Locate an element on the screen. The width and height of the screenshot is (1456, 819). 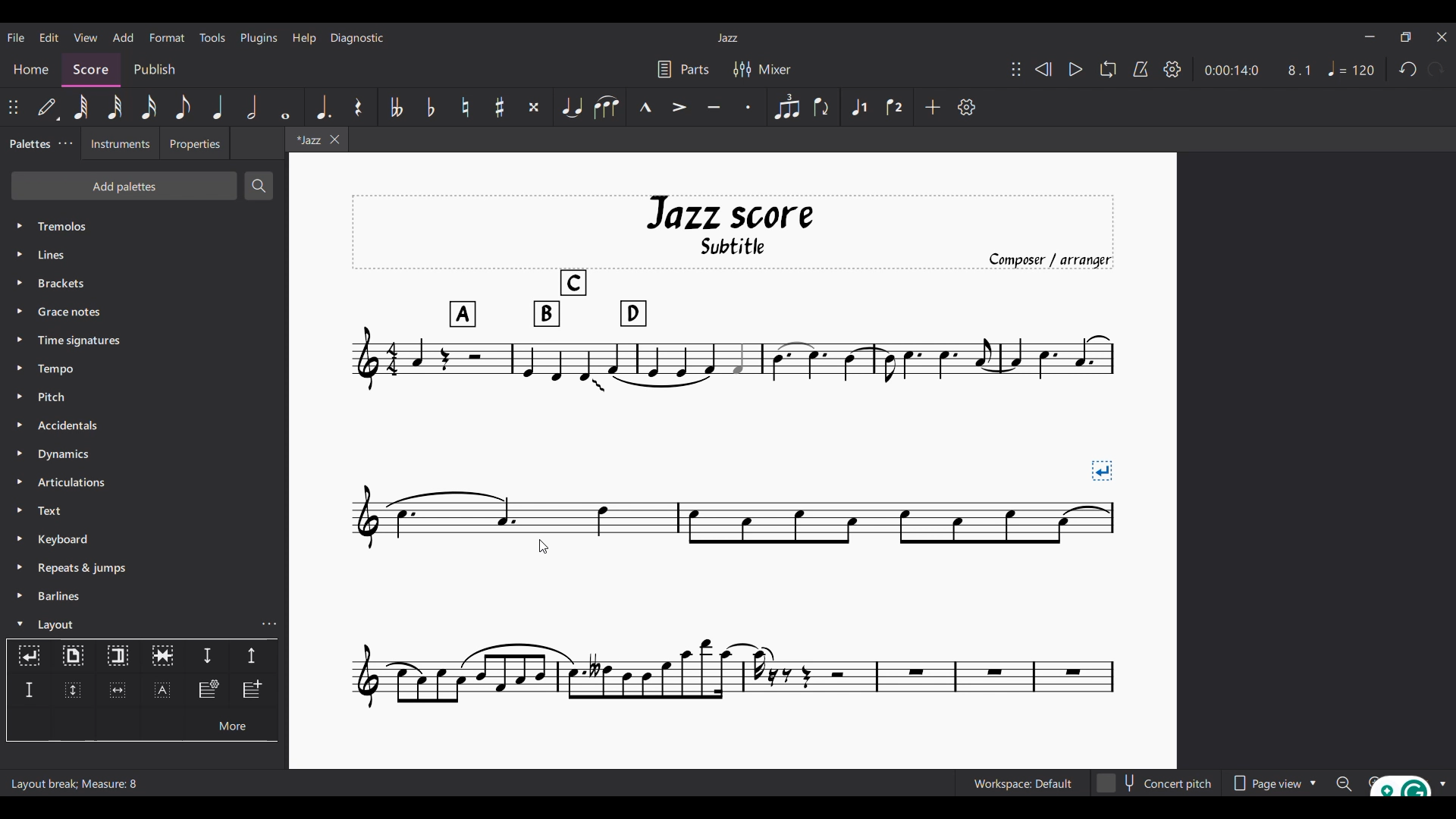
Grammarly extension is located at coordinates (1399, 785).